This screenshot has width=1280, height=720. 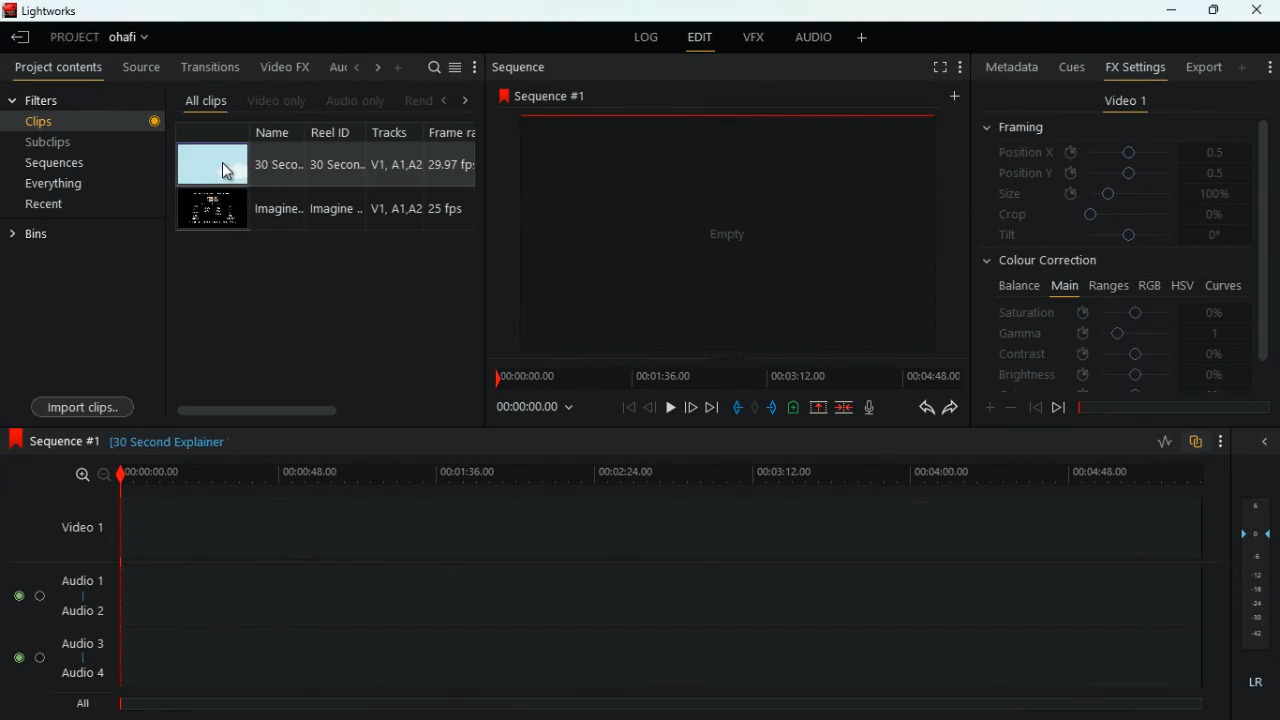 What do you see at coordinates (319, 409) in the screenshot?
I see `scroll` at bounding box center [319, 409].